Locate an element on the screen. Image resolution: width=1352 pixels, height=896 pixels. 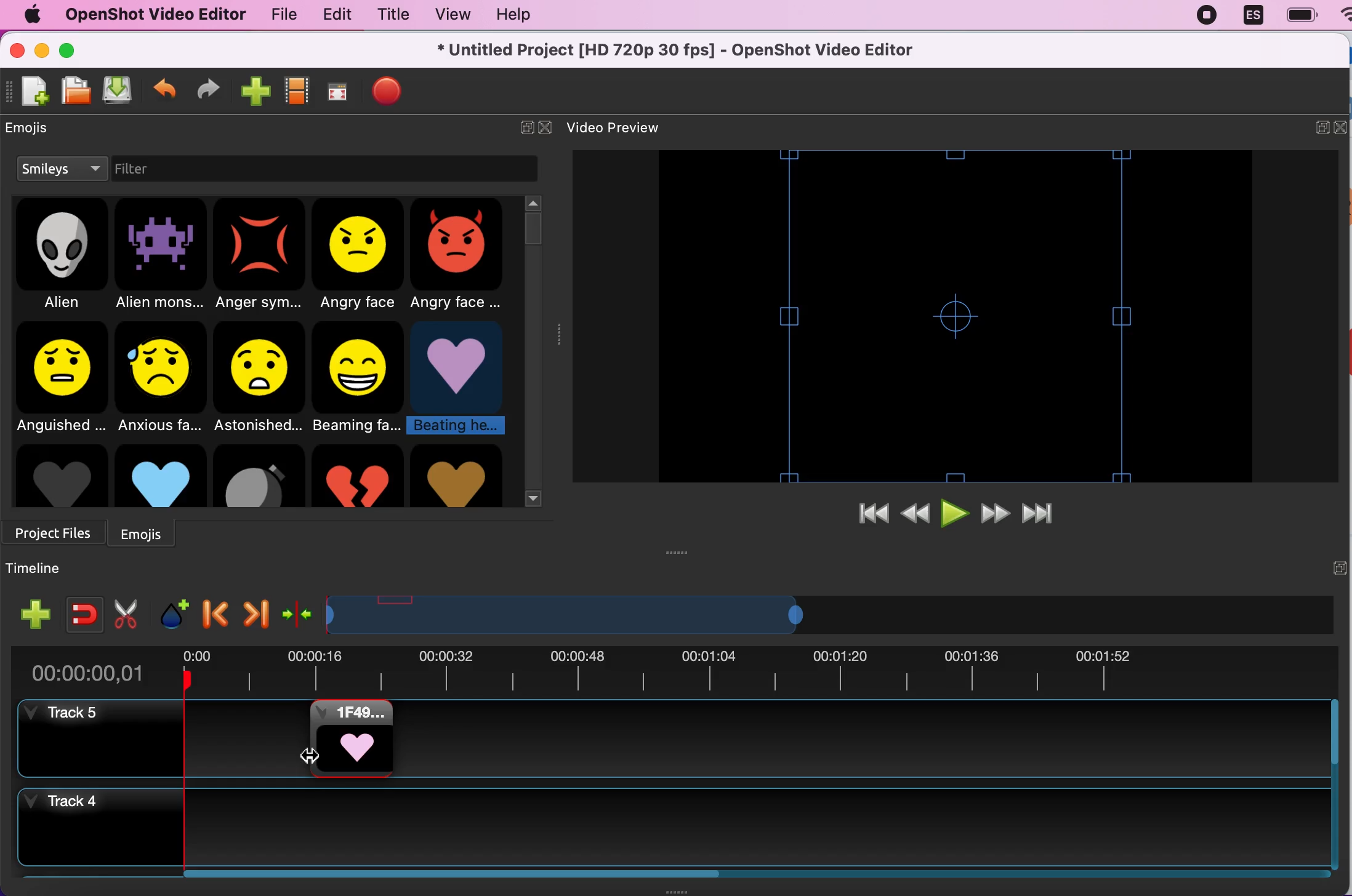
time duration is located at coordinates (673, 672).